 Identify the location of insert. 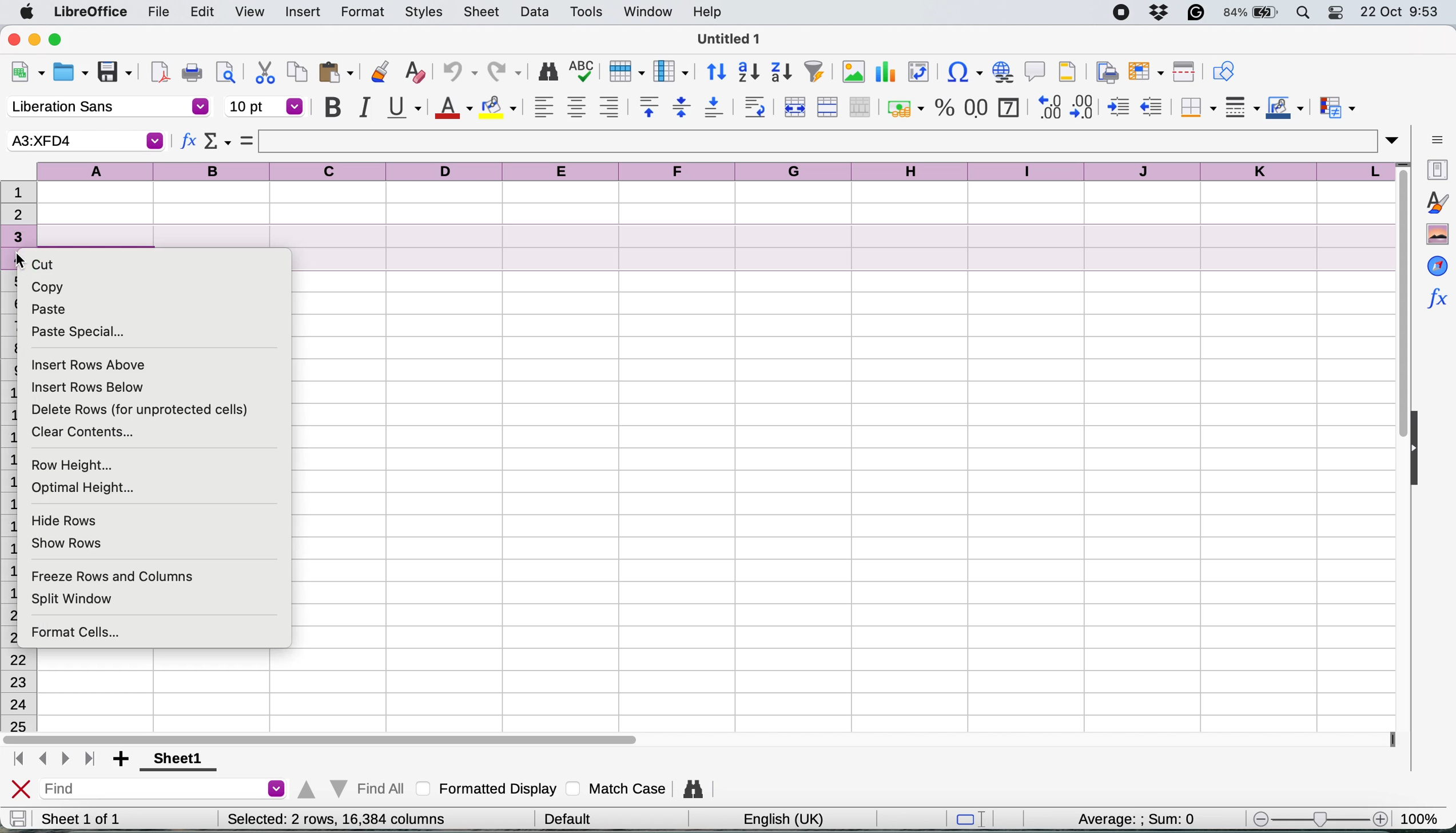
(303, 13).